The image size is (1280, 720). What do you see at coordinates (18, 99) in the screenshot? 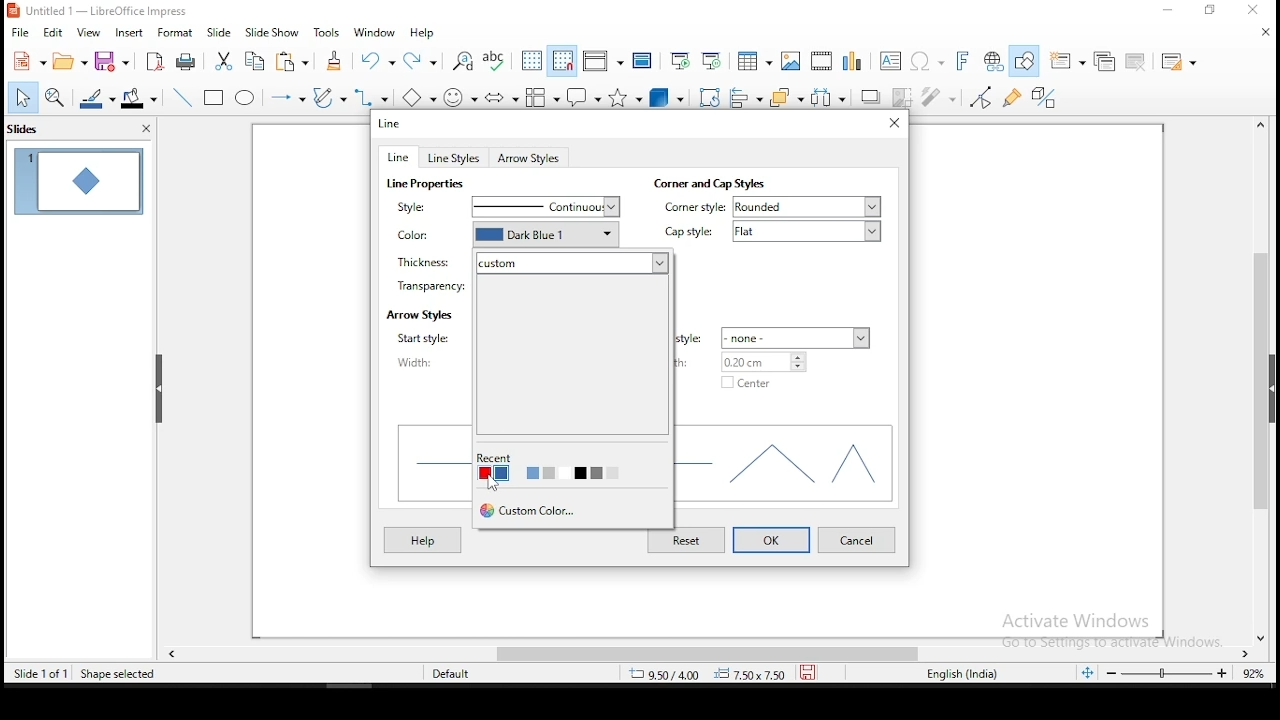
I see `select tool` at bounding box center [18, 99].